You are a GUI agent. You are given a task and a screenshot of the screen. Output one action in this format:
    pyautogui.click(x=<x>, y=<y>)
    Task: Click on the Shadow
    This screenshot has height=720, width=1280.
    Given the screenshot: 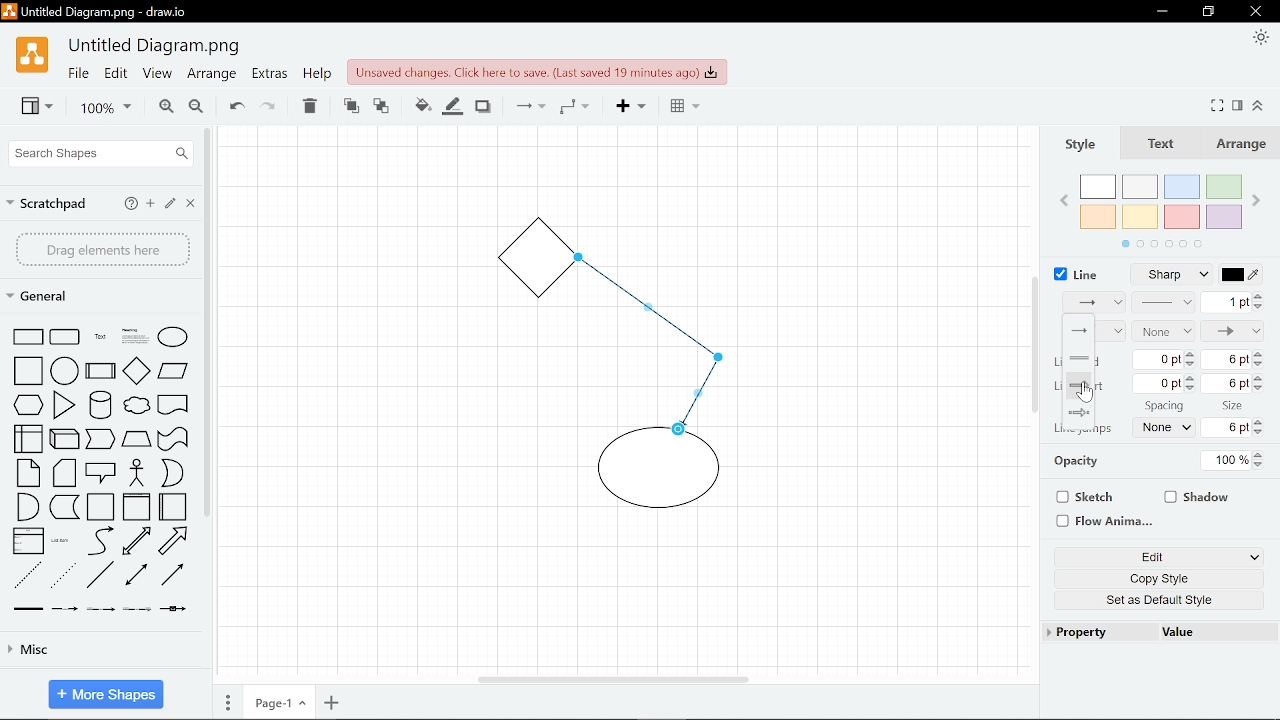 What is the action you would take?
    pyautogui.click(x=1198, y=495)
    